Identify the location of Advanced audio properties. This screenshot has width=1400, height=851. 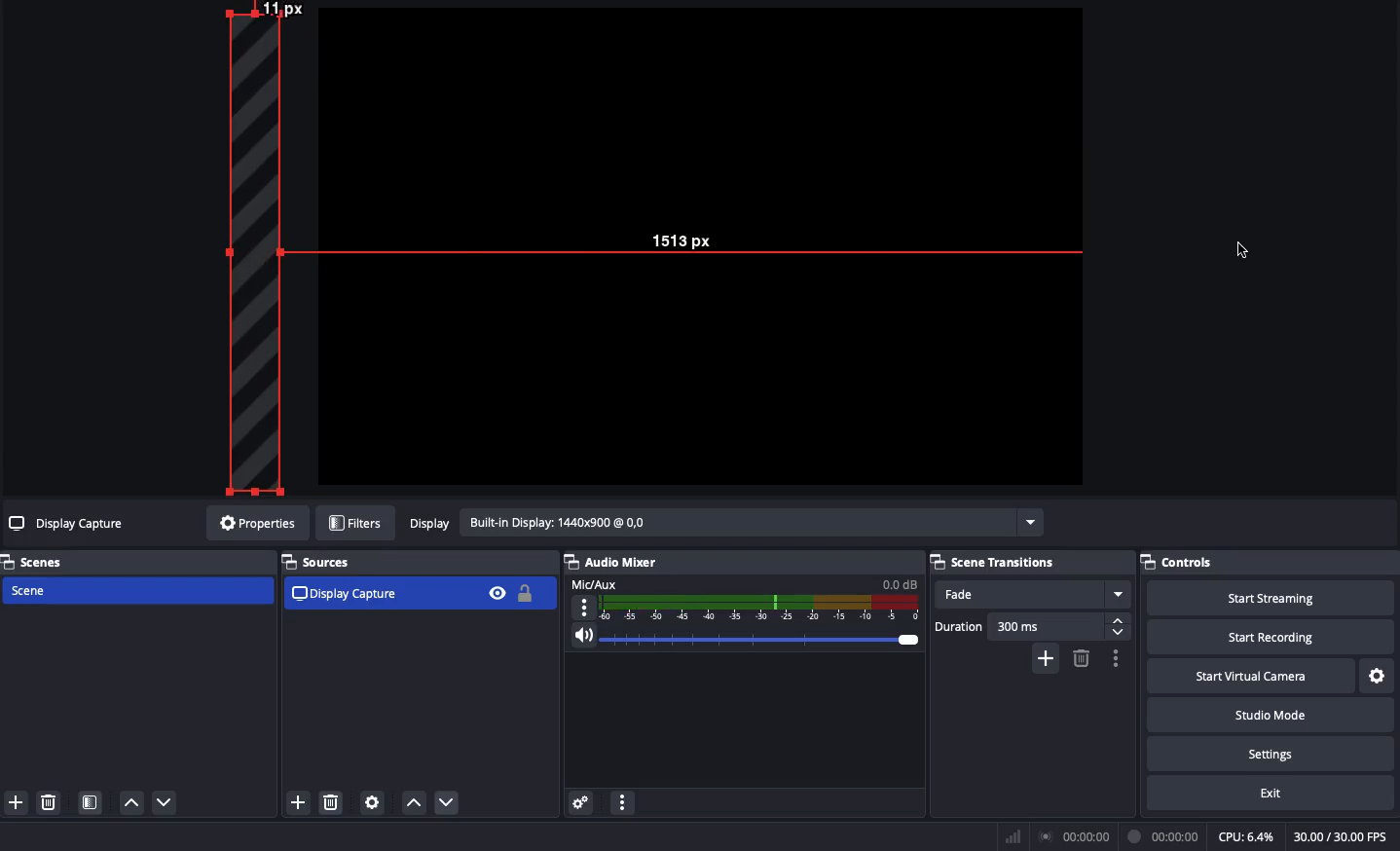
(580, 804).